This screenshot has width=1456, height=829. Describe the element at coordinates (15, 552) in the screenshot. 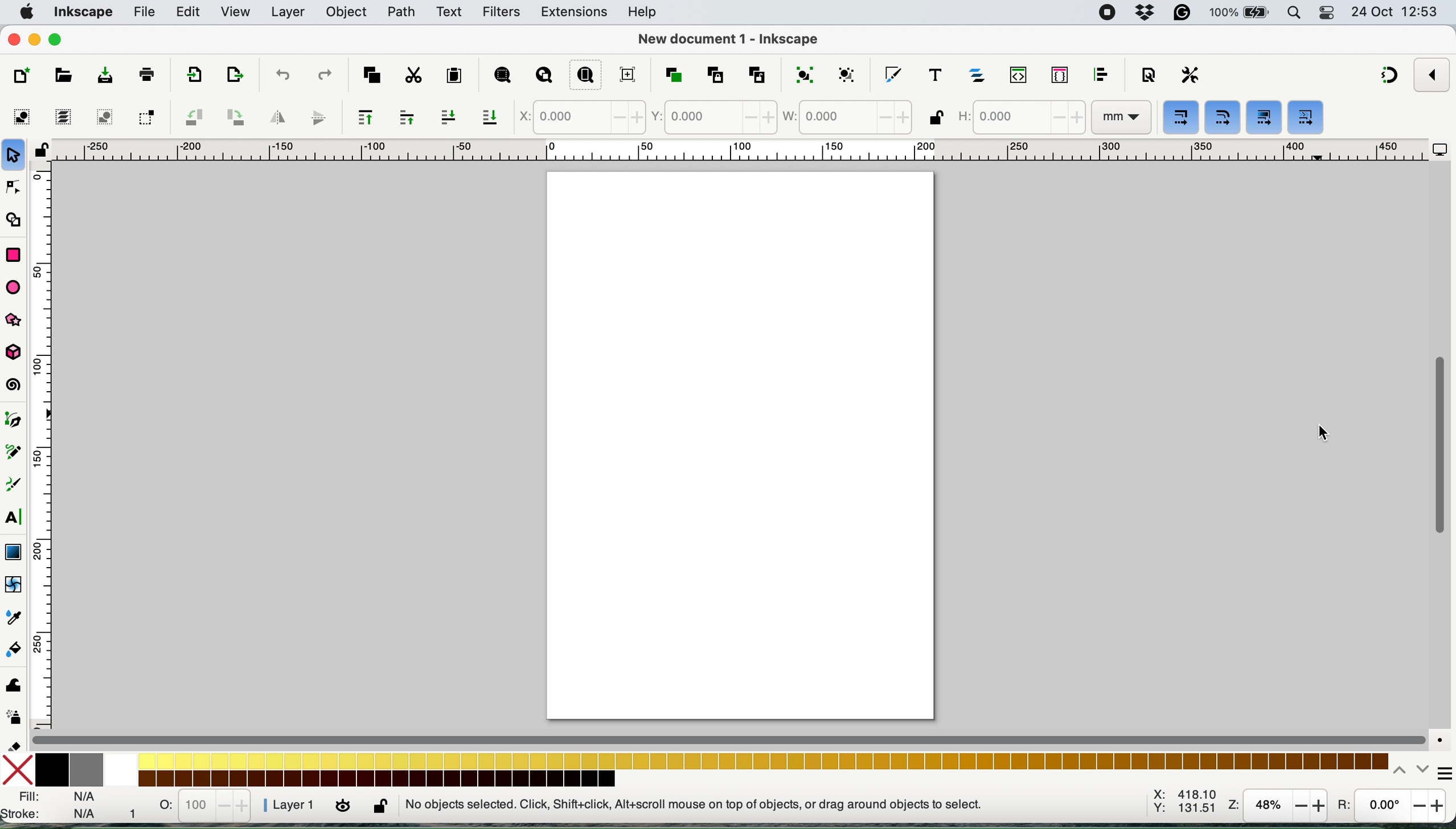

I see `gradient tool` at that location.